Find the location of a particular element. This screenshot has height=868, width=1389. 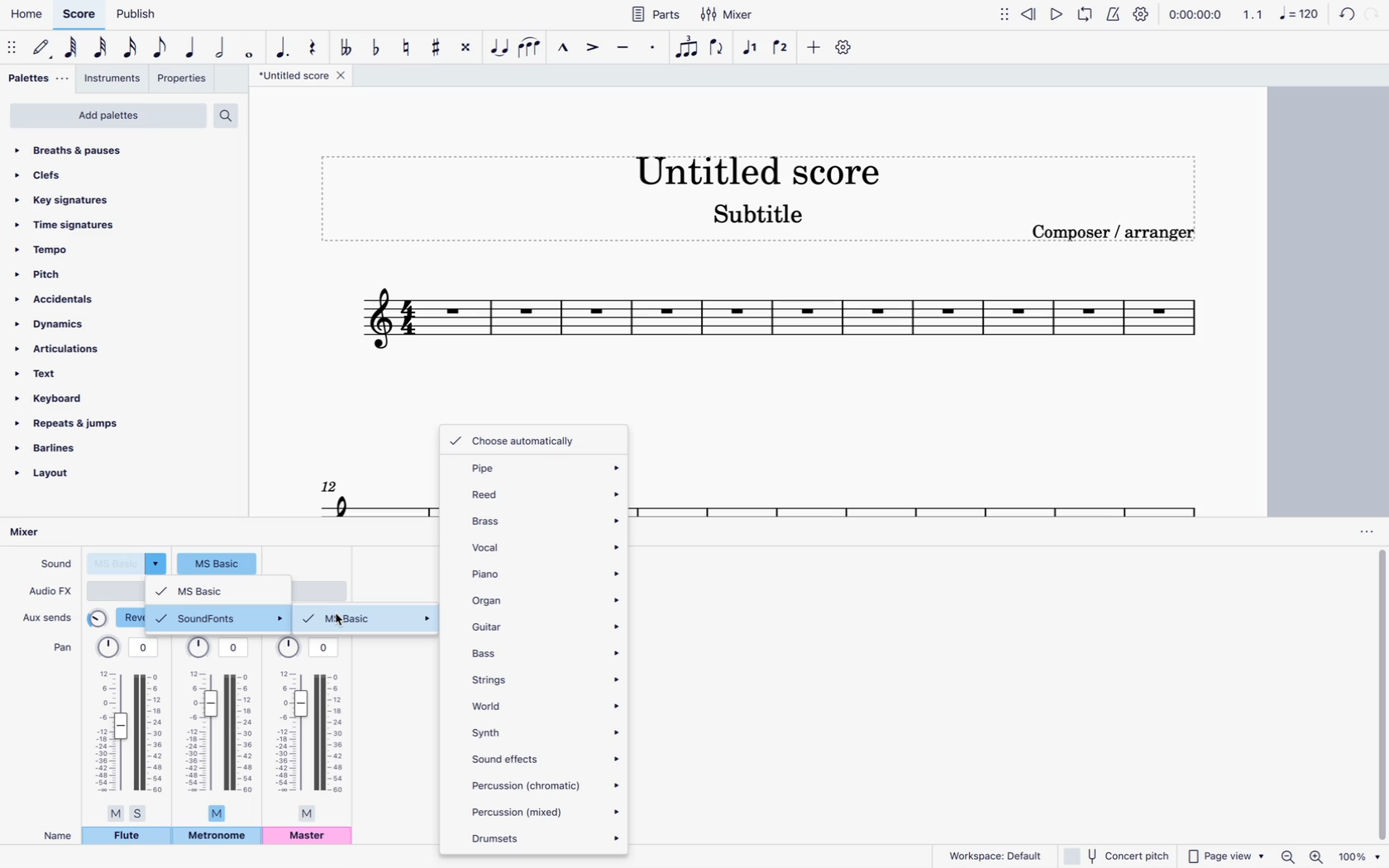

loop playback is located at coordinates (1085, 13).